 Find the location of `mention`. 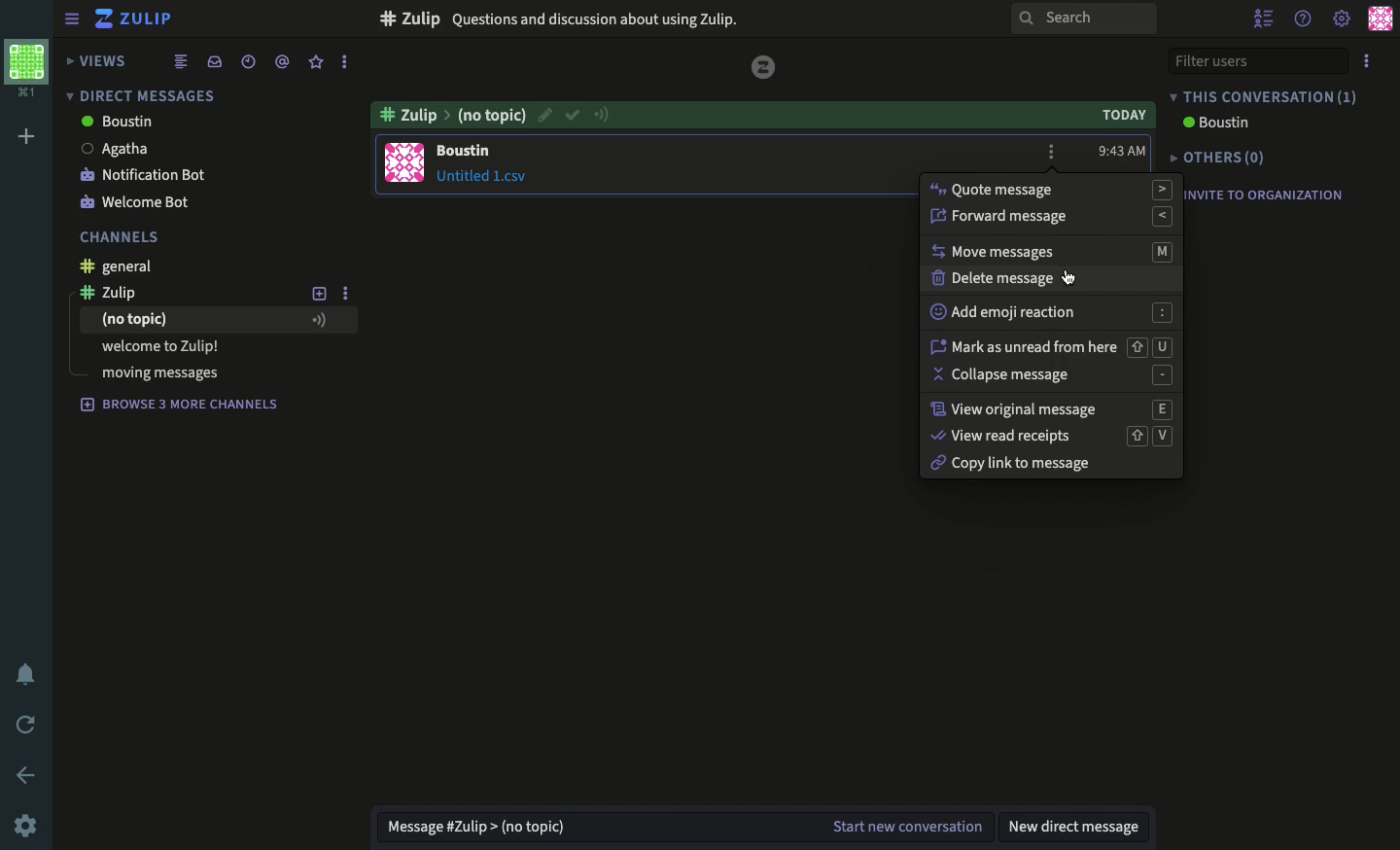

mention is located at coordinates (283, 64).